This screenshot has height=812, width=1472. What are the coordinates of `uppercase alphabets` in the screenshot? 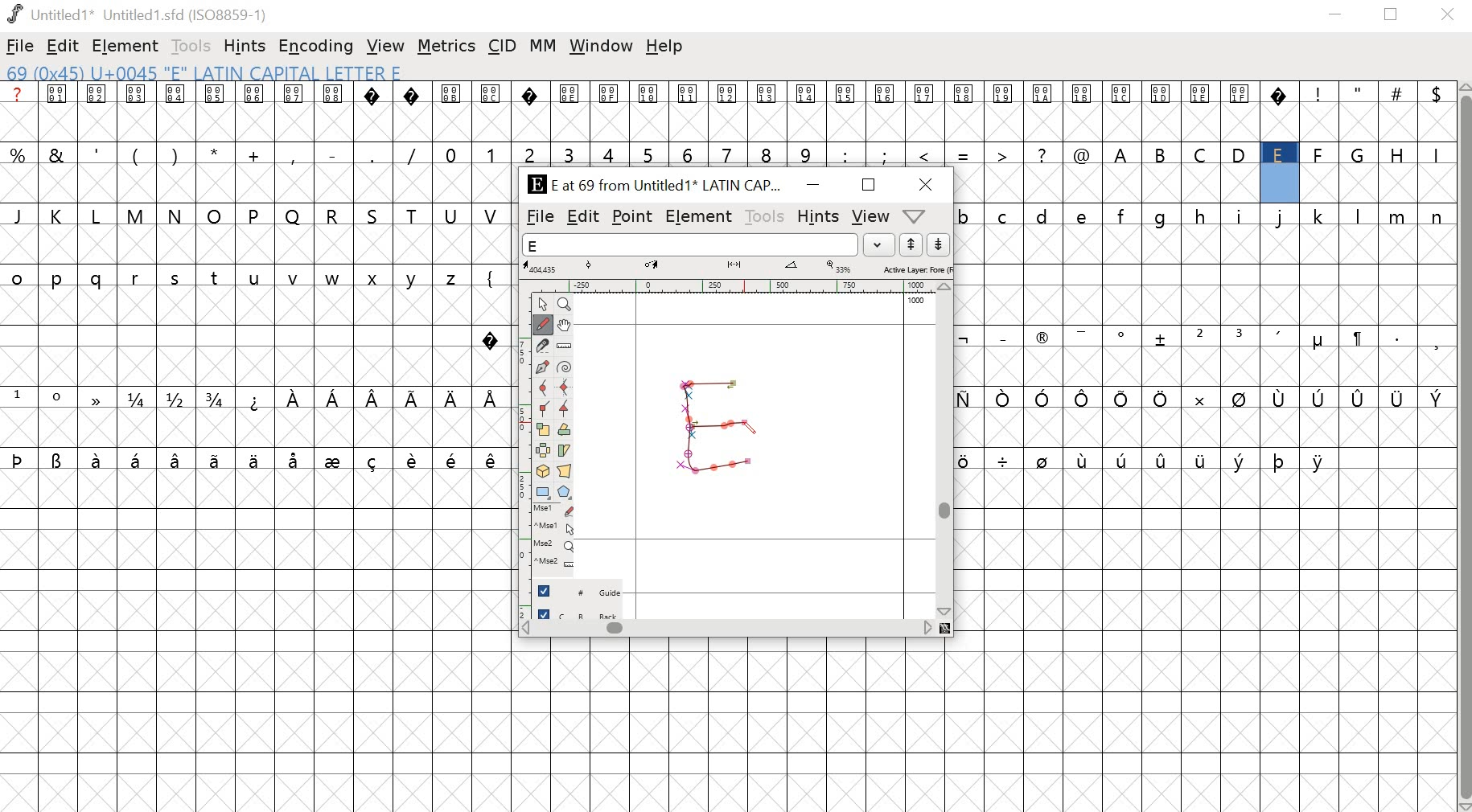 It's located at (256, 215).